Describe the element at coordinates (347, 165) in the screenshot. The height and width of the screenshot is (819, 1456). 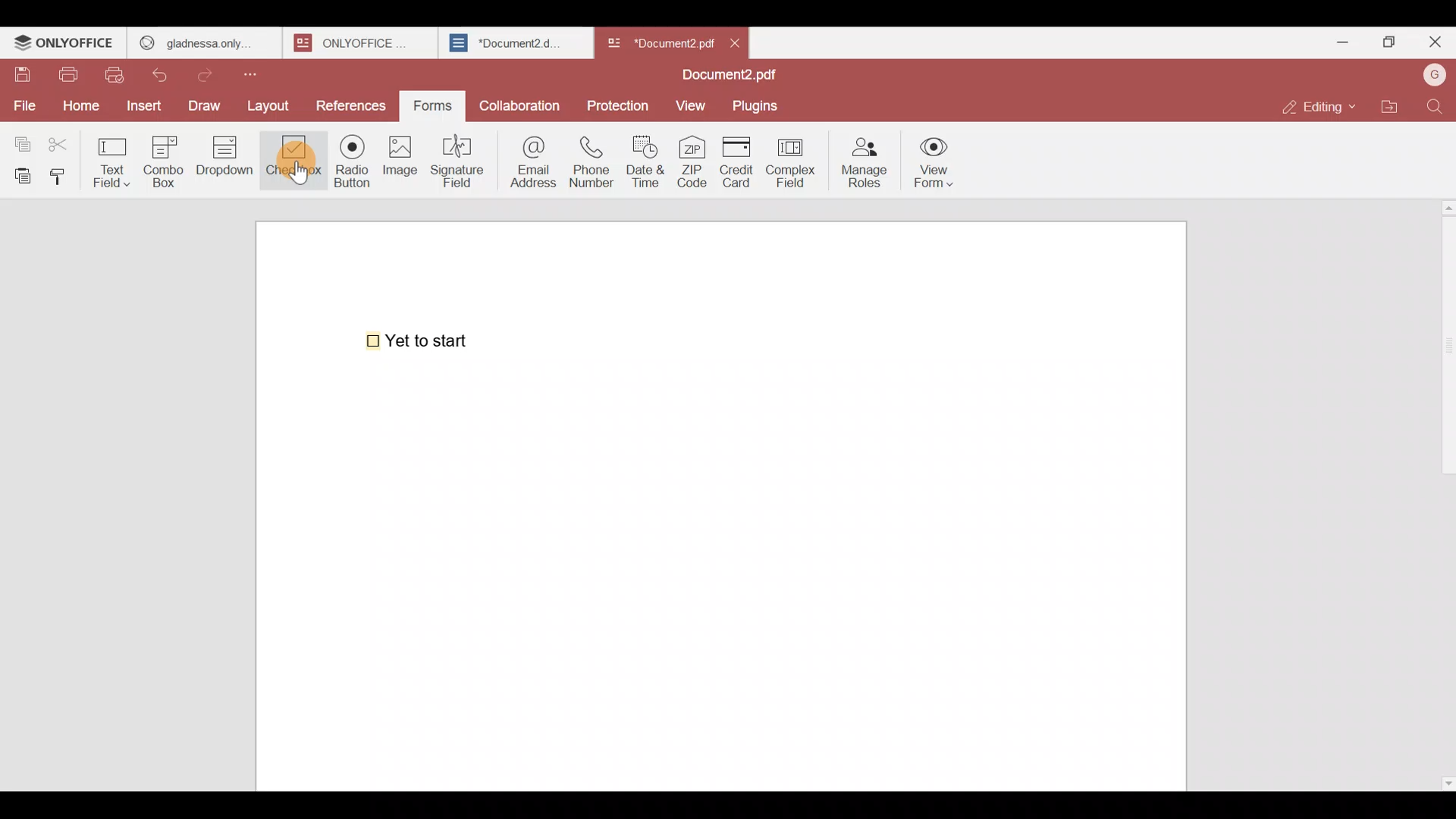
I see `Radio` at that location.